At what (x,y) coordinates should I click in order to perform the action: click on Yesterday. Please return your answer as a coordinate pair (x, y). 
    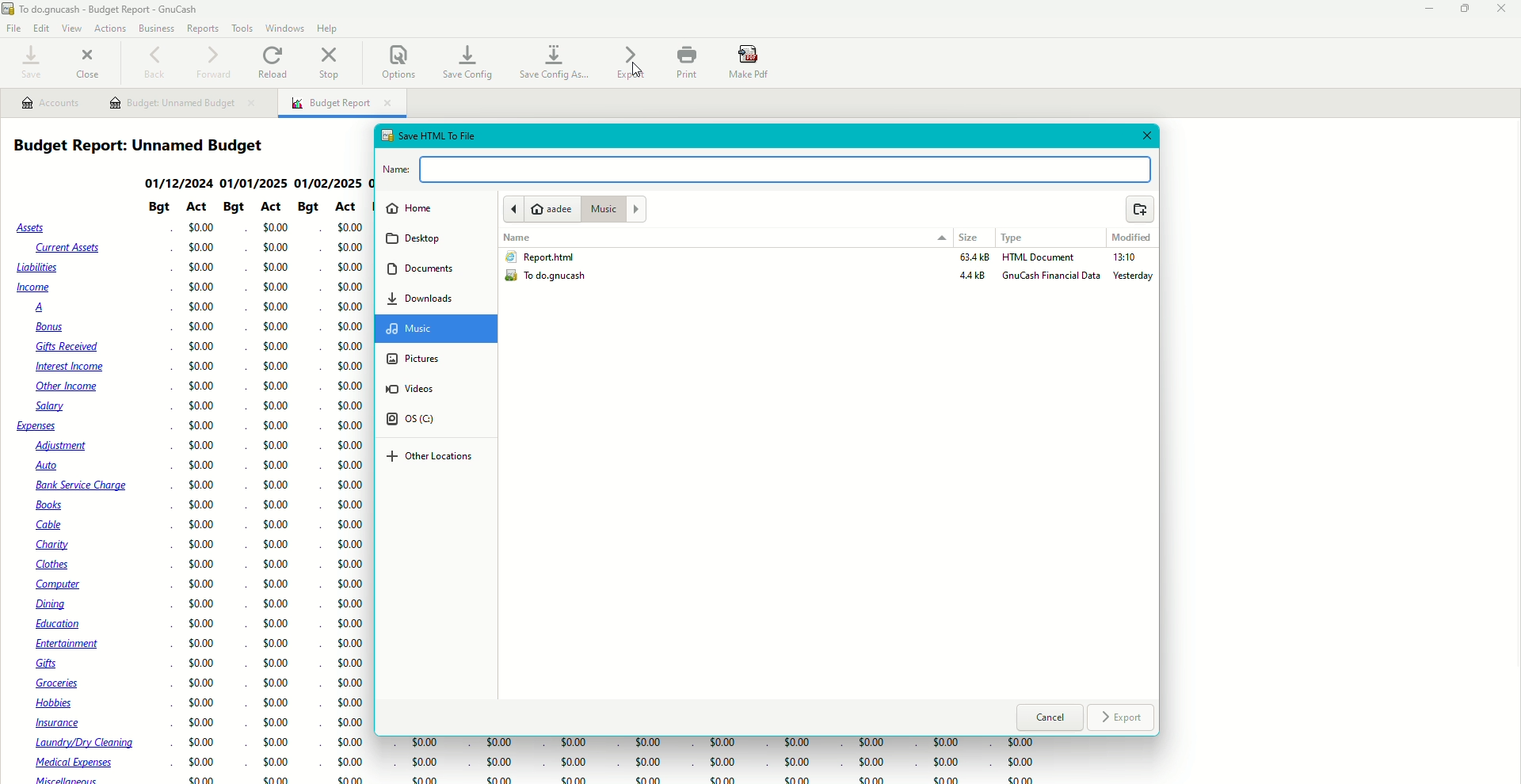
    Looking at the image, I should click on (1135, 277).